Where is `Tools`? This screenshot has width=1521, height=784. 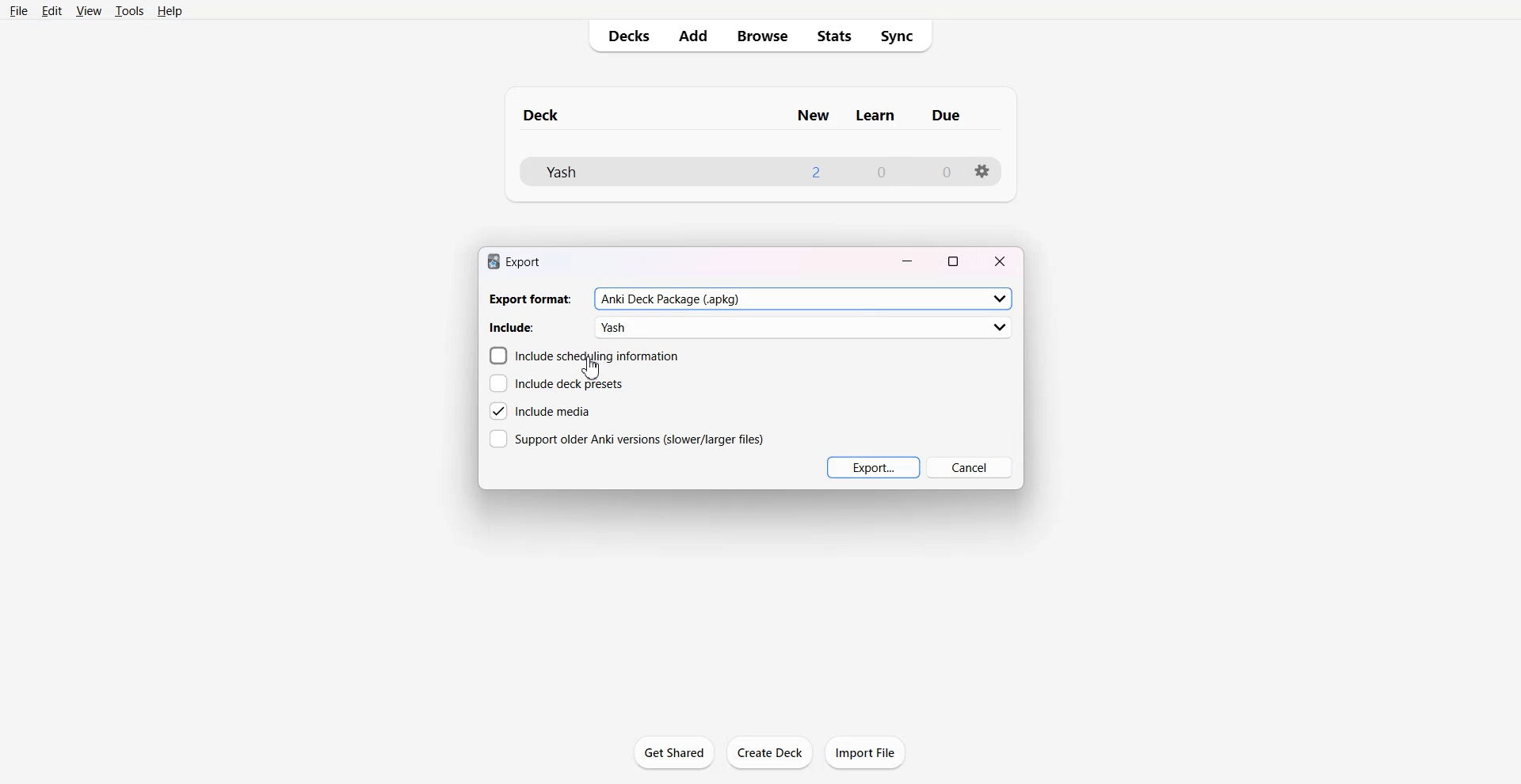
Tools is located at coordinates (130, 12).